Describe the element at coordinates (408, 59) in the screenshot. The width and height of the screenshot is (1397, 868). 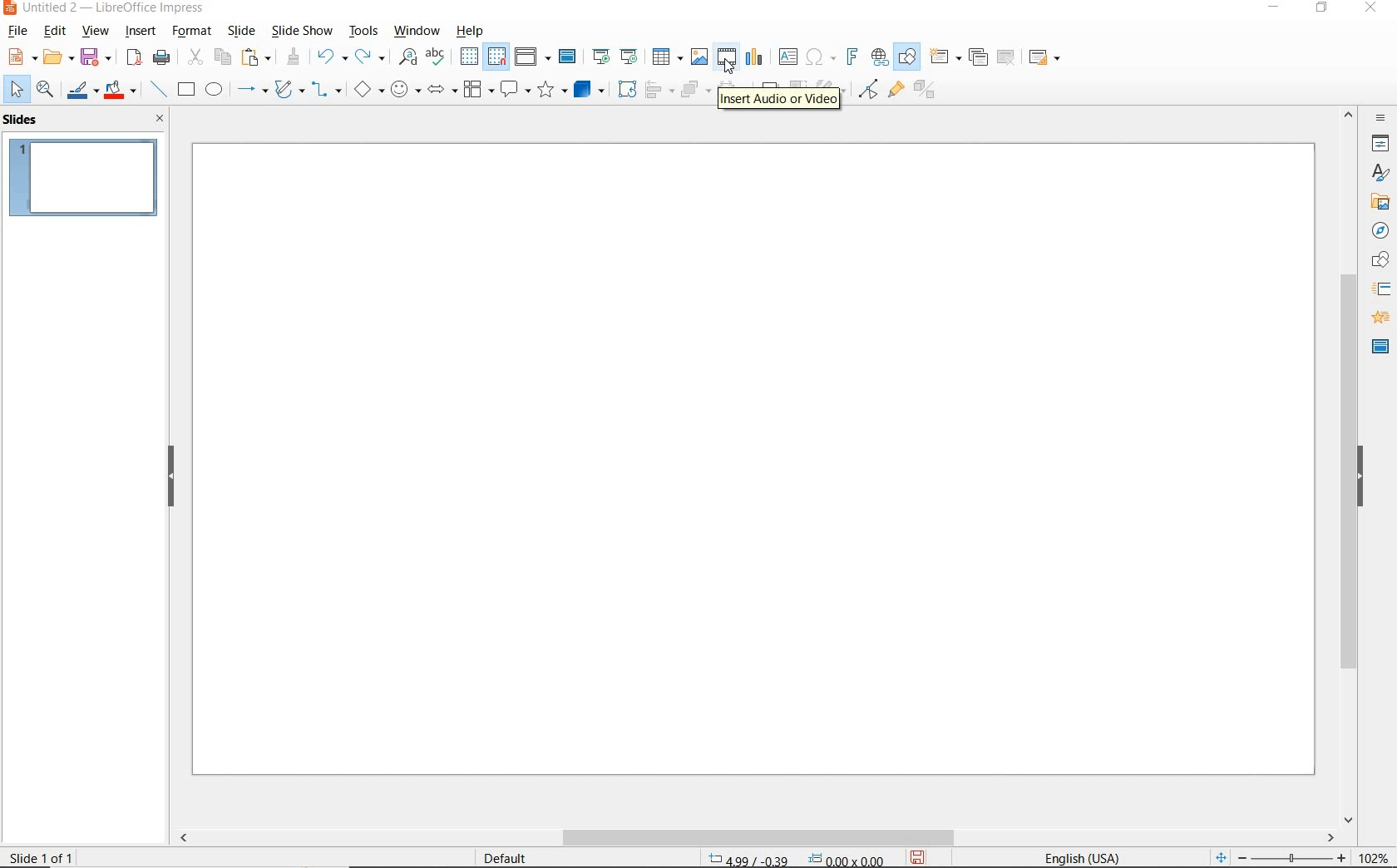
I see `FIND AND REPLACE` at that location.